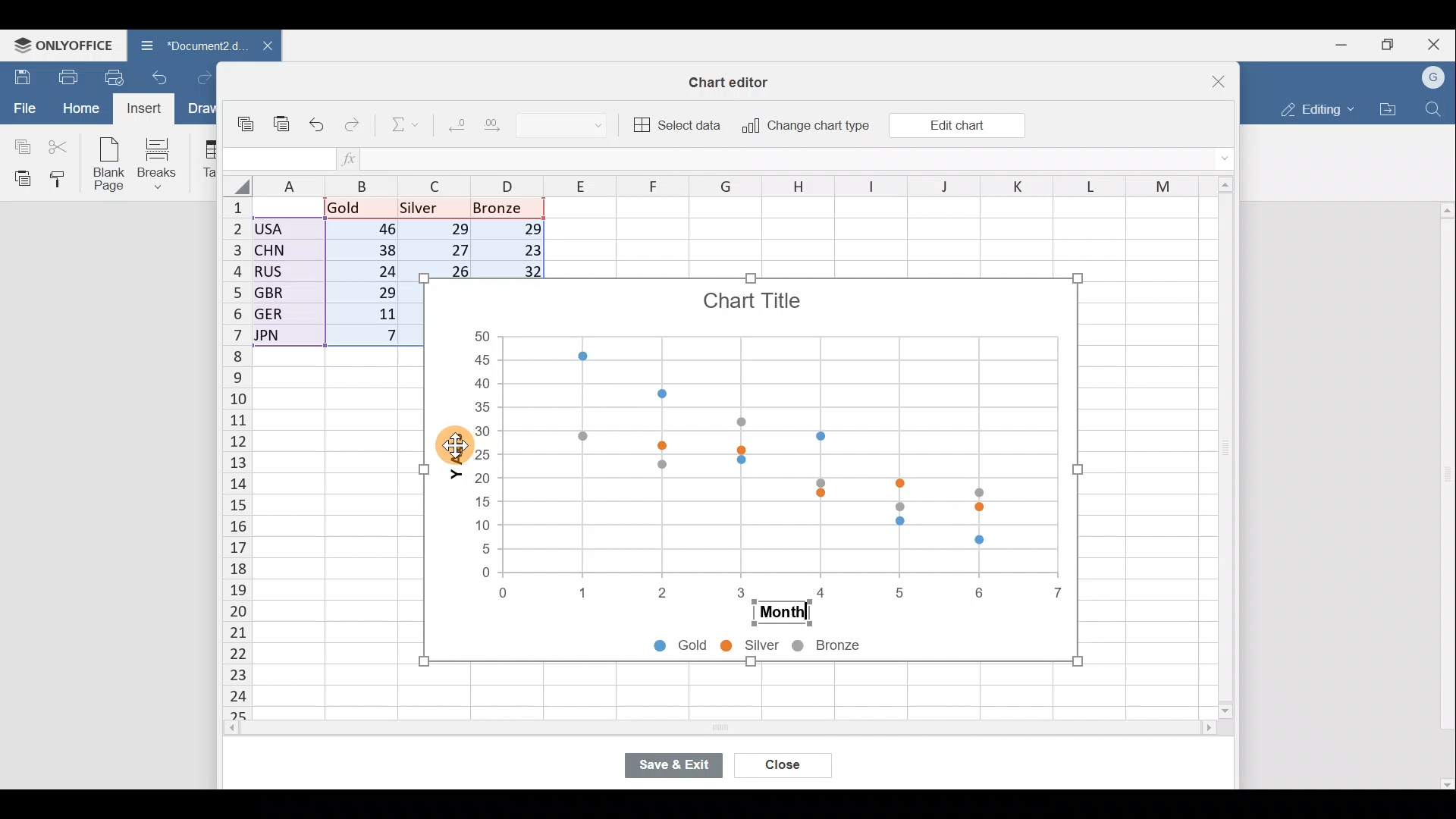 The height and width of the screenshot is (819, 1456). What do you see at coordinates (724, 185) in the screenshot?
I see `Columns` at bounding box center [724, 185].